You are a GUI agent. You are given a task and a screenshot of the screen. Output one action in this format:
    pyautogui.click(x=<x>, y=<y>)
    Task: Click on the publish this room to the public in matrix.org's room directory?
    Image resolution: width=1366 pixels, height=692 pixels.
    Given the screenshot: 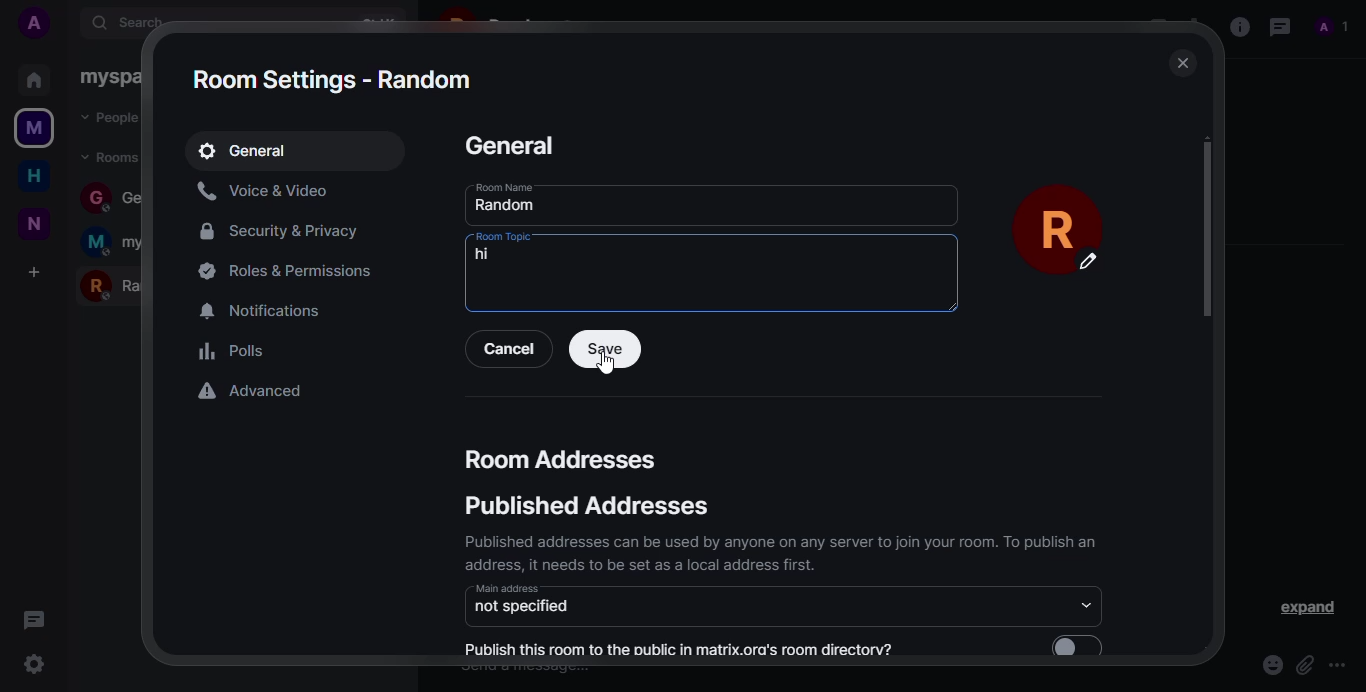 What is the action you would take?
    pyautogui.click(x=679, y=650)
    